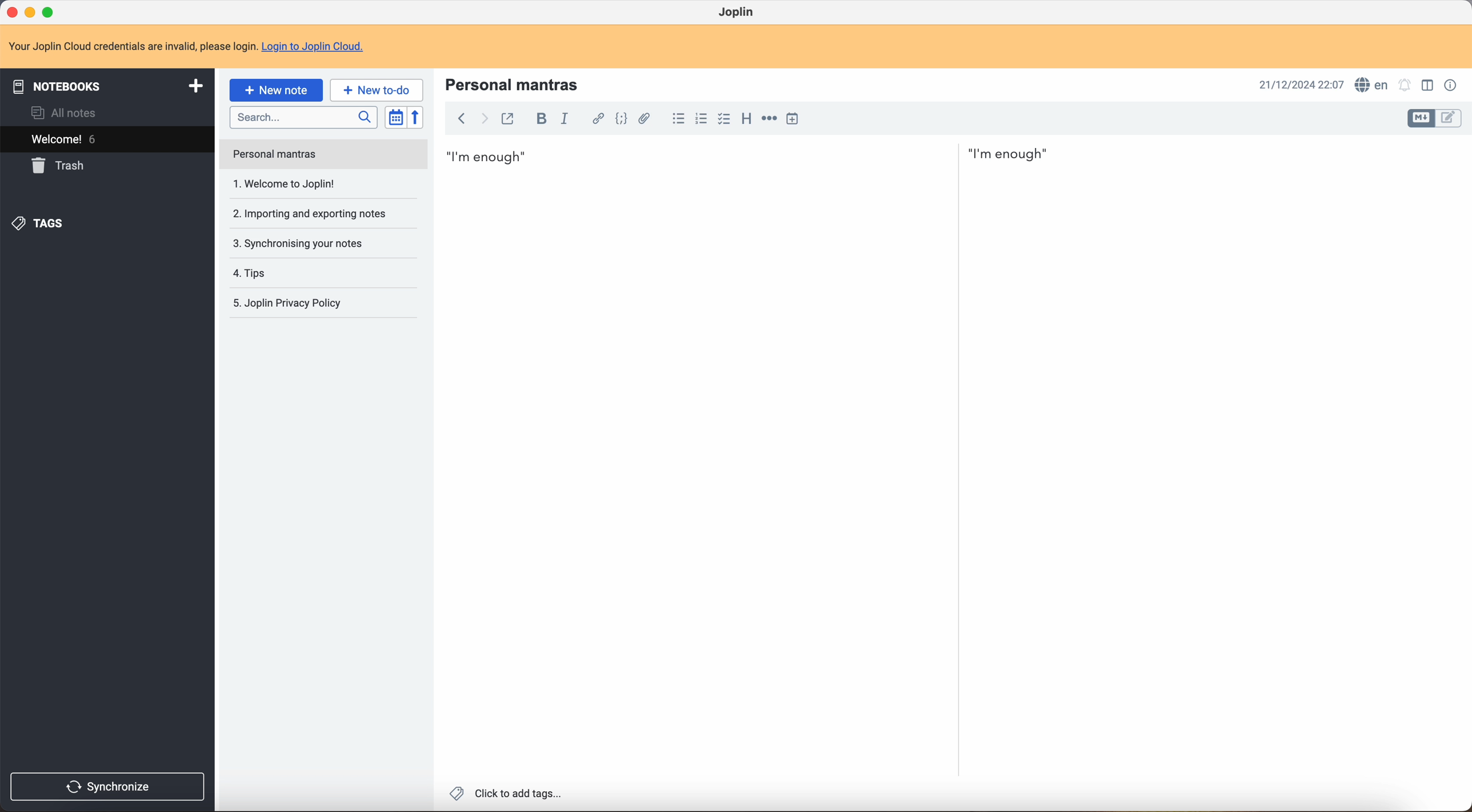 The image size is (1472, 812). Describe the element at coordinates (287, 155) in the screenshot. I see `welcome to Joplin` at that location.